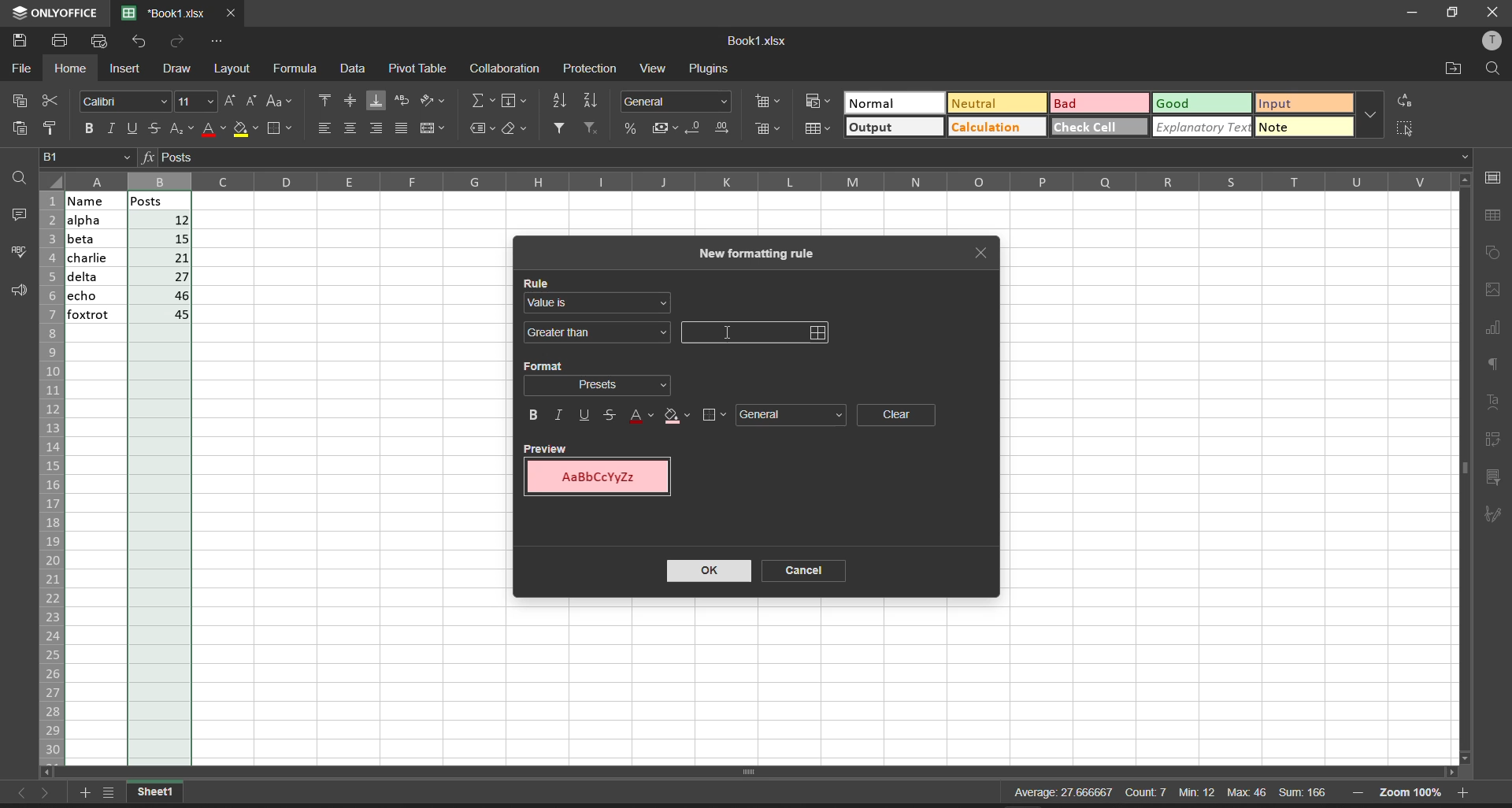 The height and width of the screenshot is (808, 1512). Describe the element at coordinates (1499, 251) in the screenshot. I see `shape settings` at that location.